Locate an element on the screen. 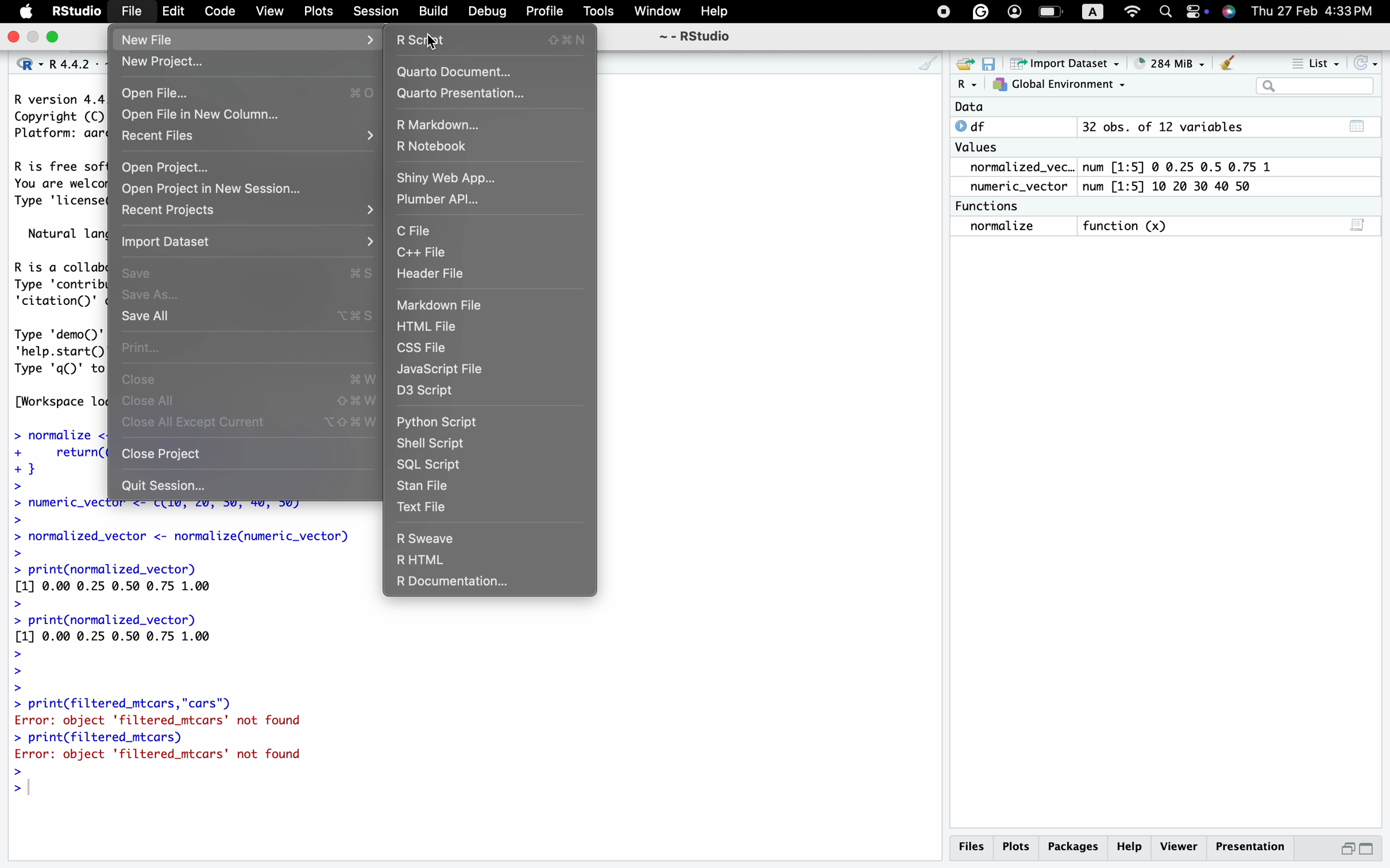 This screenshot has height=868, width=1390. 32 obs. of 12 variables is located at coordinates (1227, 130).